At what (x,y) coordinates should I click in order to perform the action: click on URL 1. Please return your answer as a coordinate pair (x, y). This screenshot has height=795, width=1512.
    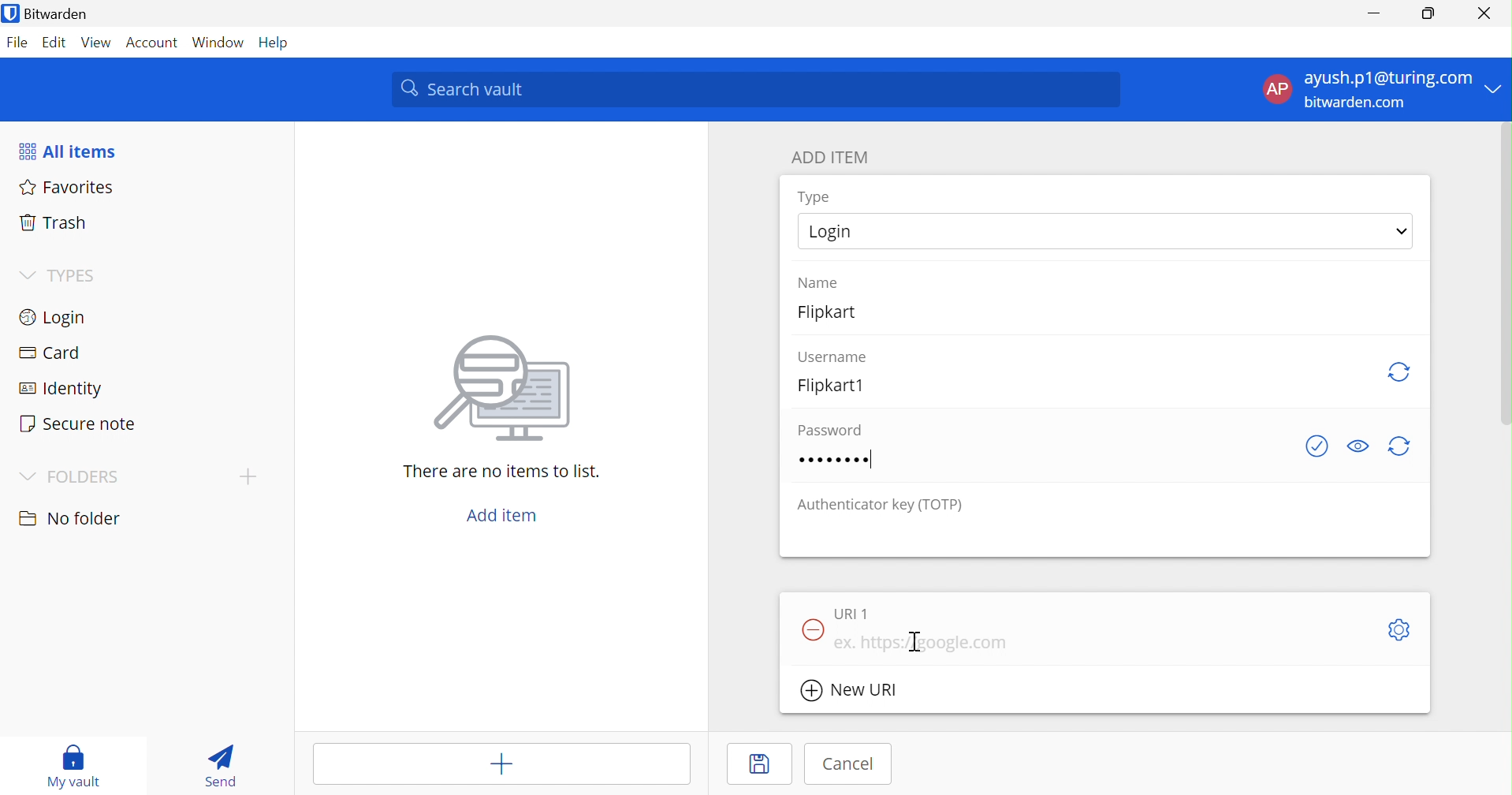
    Looking at the image, I should click on (851, 613).